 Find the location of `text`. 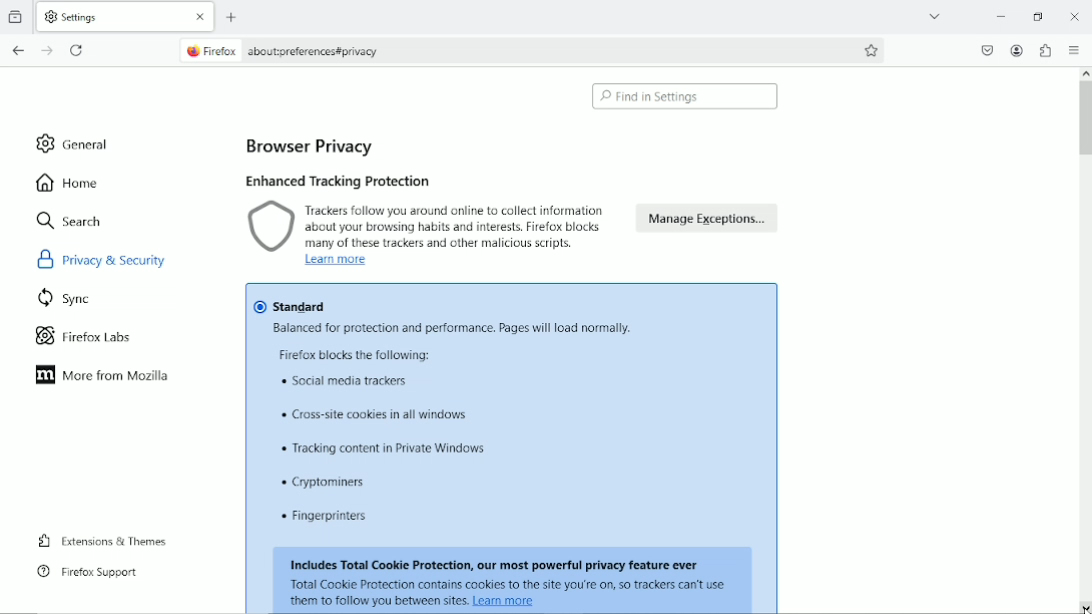

text is located at coordinates (329, 483).